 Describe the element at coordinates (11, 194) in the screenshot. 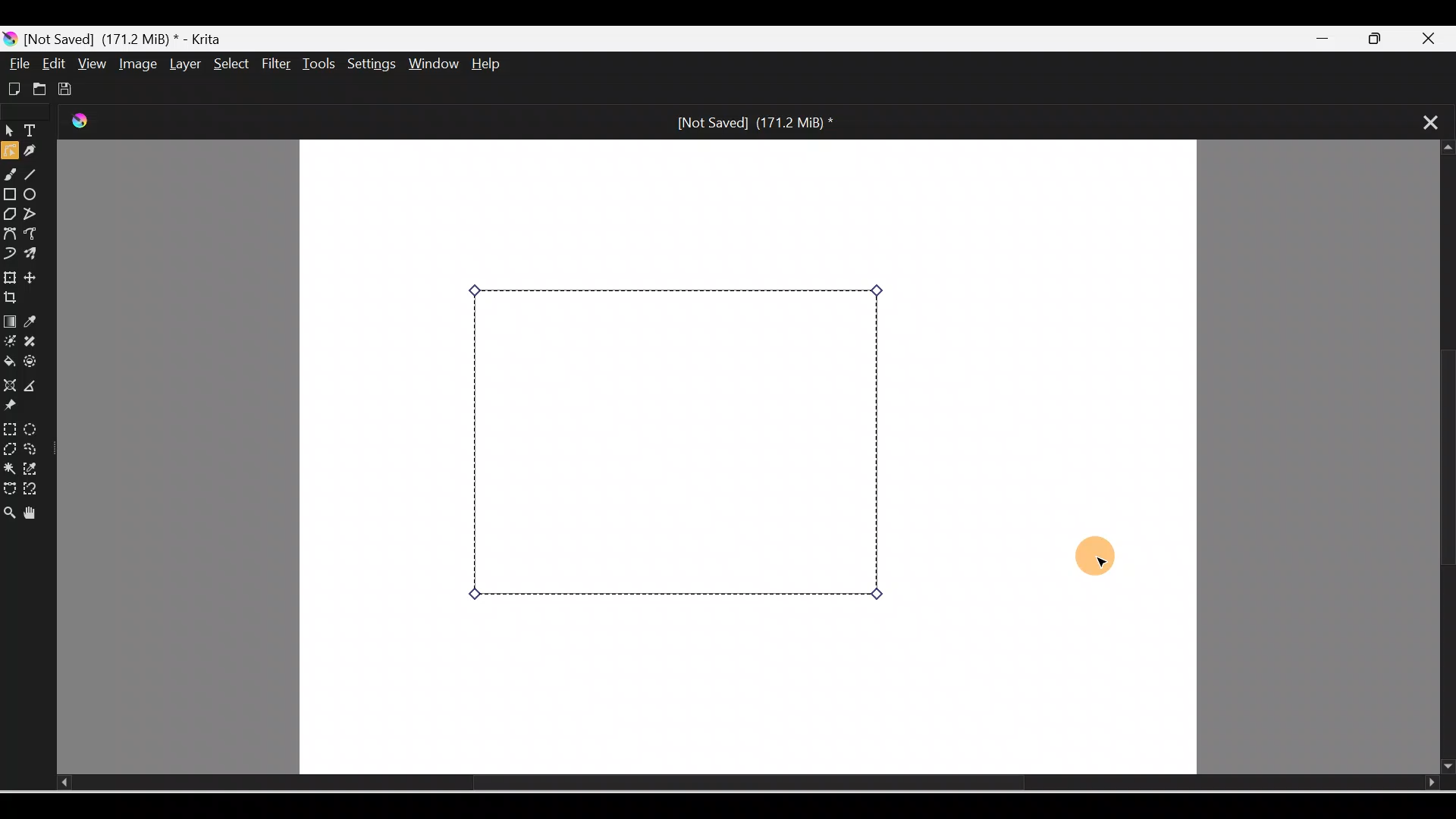

I see `Rectangle` at that location.